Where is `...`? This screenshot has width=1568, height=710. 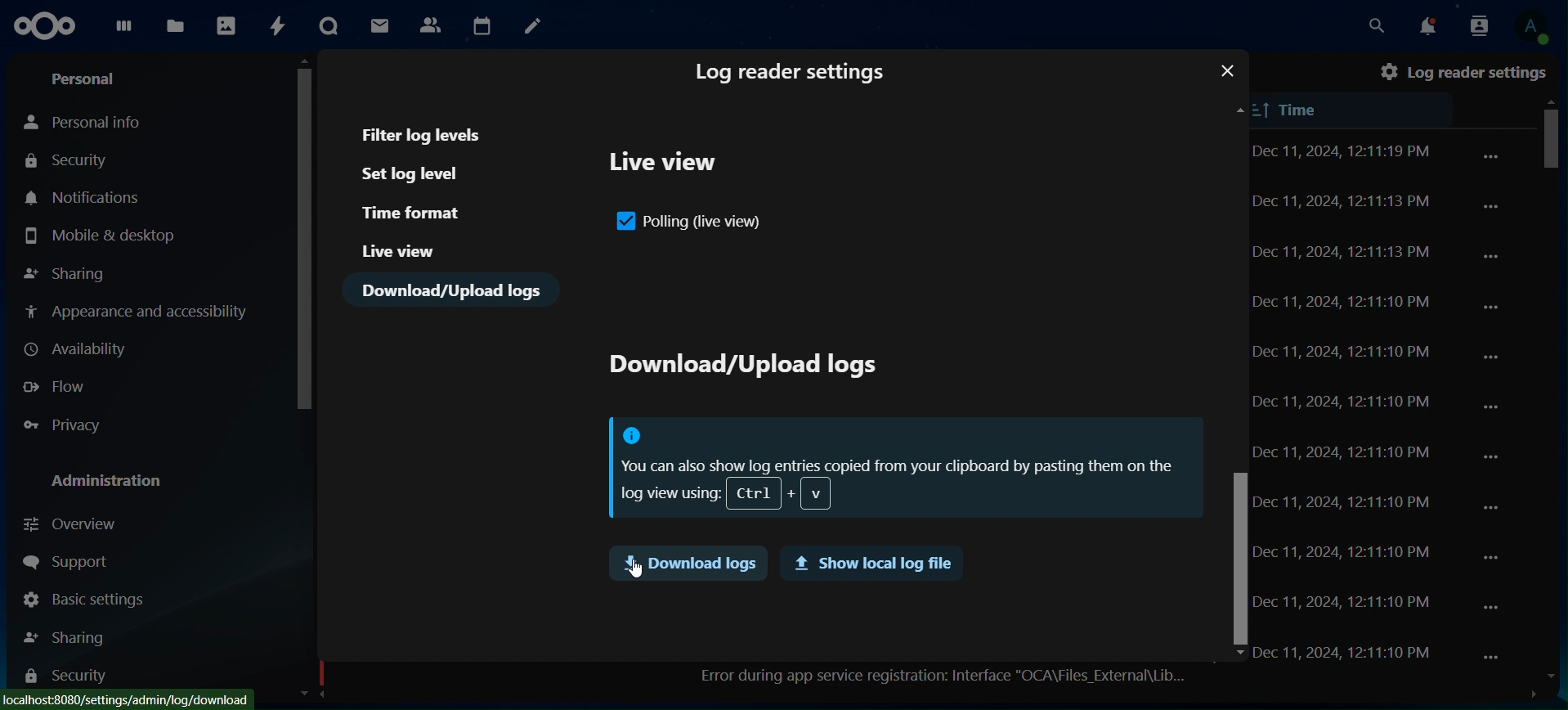 ... is located at coordinates (1496, 509).